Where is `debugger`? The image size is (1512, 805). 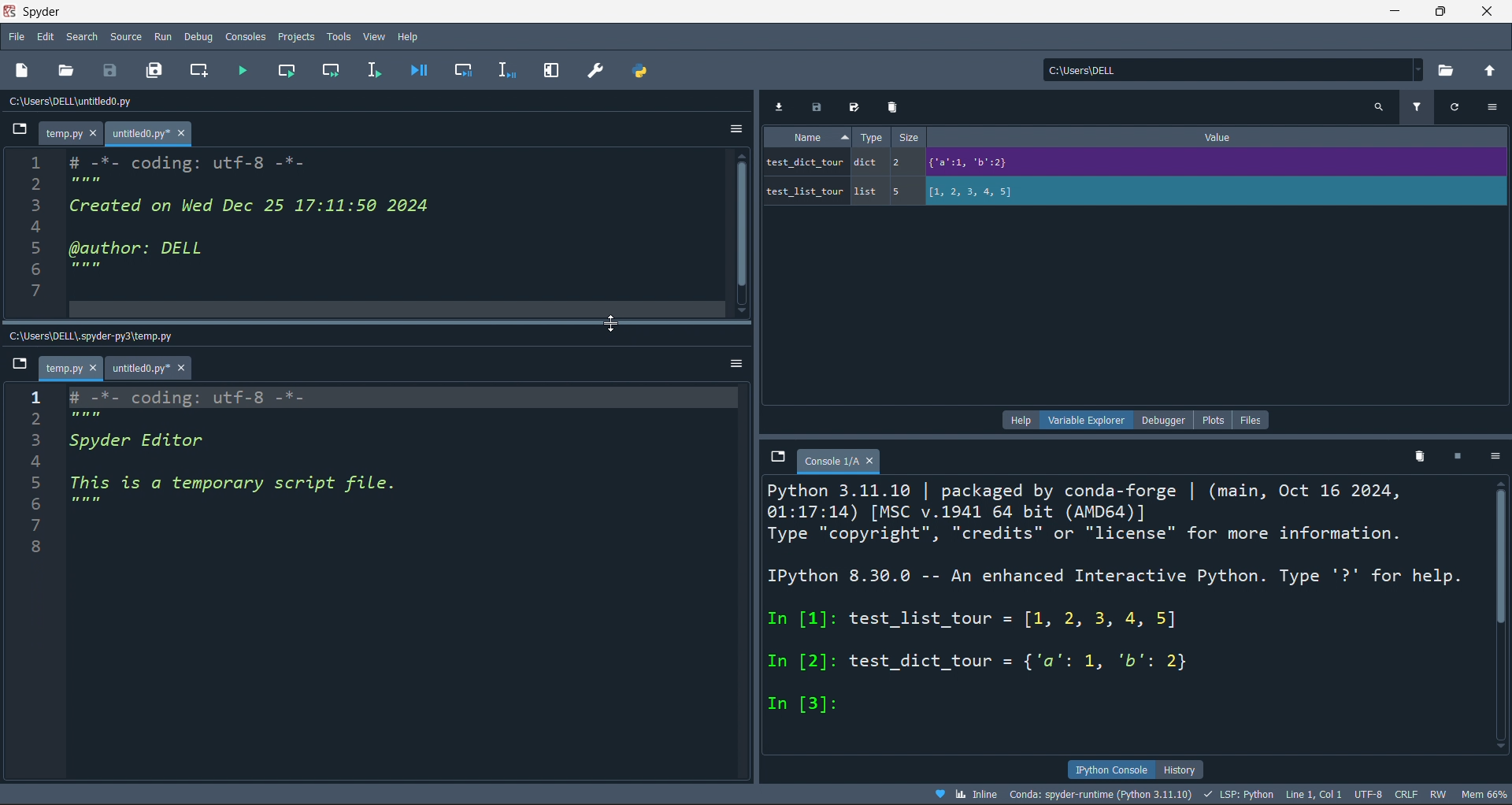 debugger is located at coordinates (1158, 419).